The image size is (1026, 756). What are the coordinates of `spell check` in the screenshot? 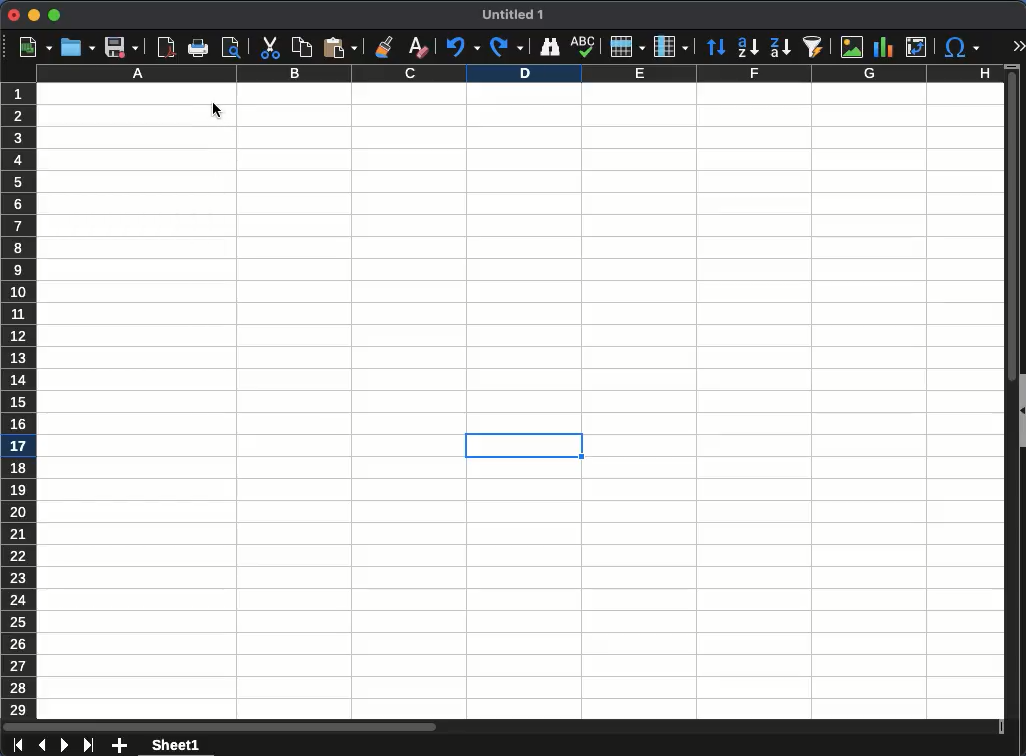 It's located at (584, 47).